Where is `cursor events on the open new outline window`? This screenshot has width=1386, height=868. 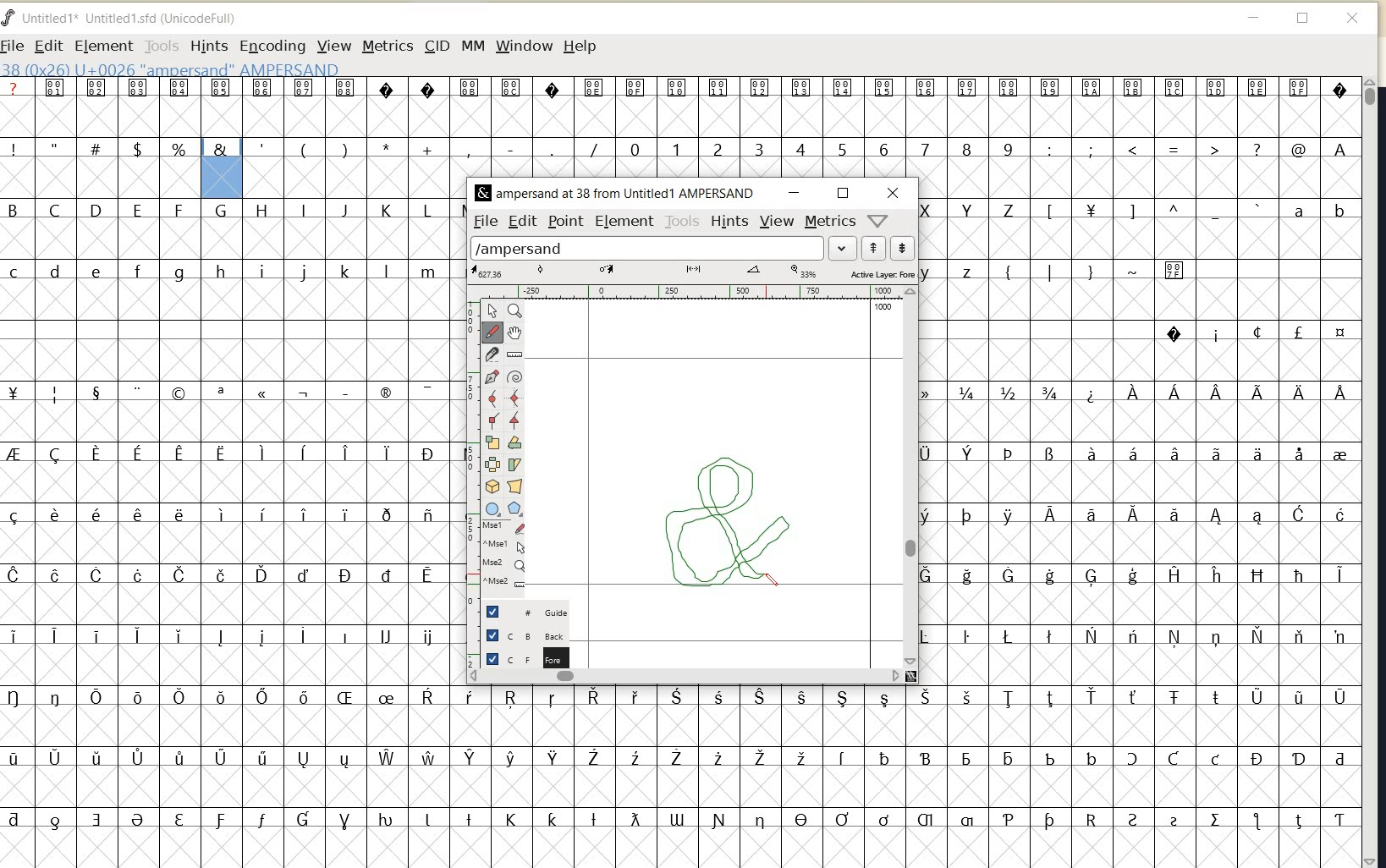 cursor events on the open new outline window is located at coordinates (506, 557).